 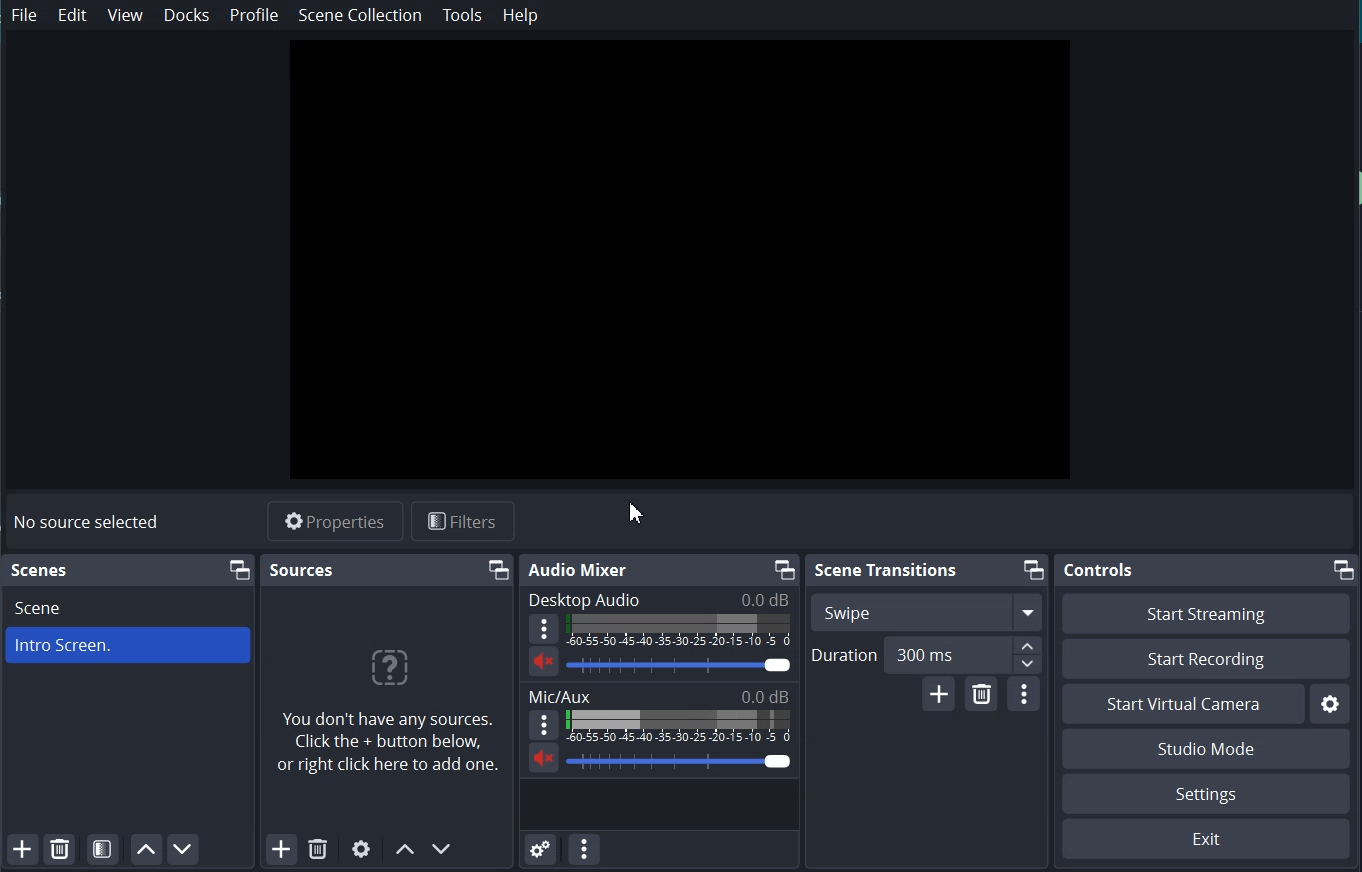 I want to click on Text , so click(x=42, y=571).